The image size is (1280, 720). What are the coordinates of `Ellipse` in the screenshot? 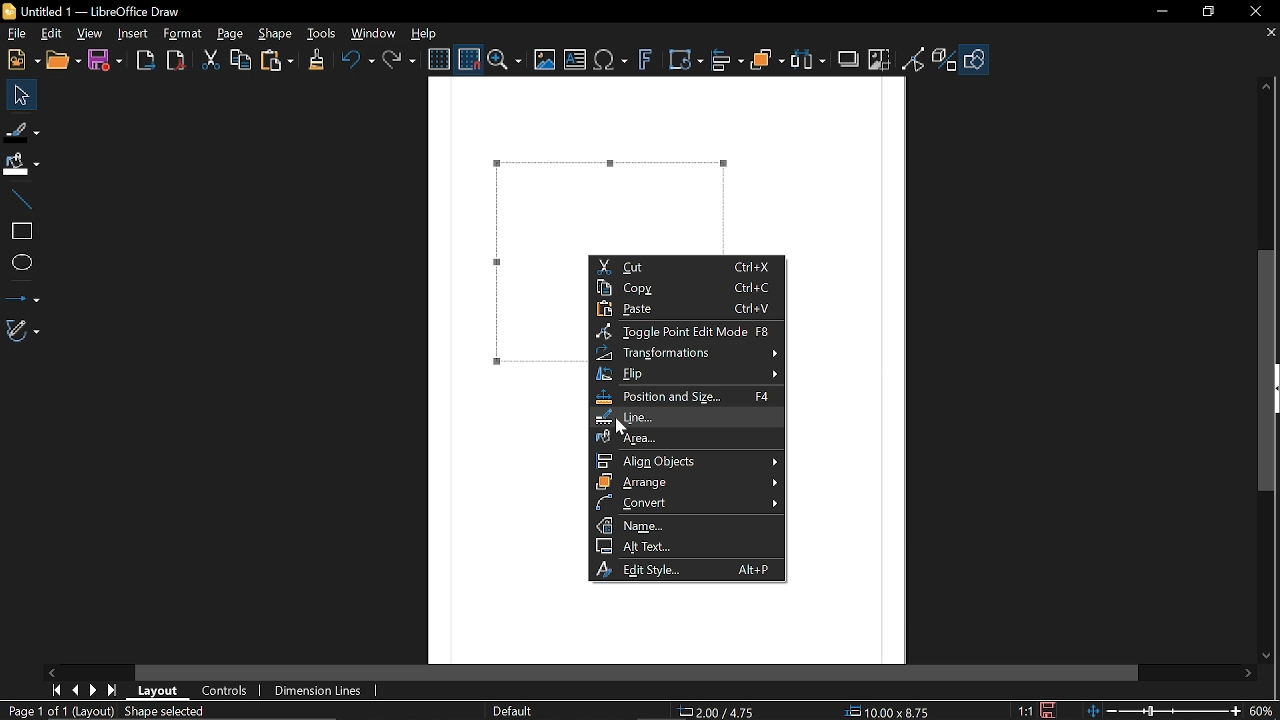 It's located at (20, 261).